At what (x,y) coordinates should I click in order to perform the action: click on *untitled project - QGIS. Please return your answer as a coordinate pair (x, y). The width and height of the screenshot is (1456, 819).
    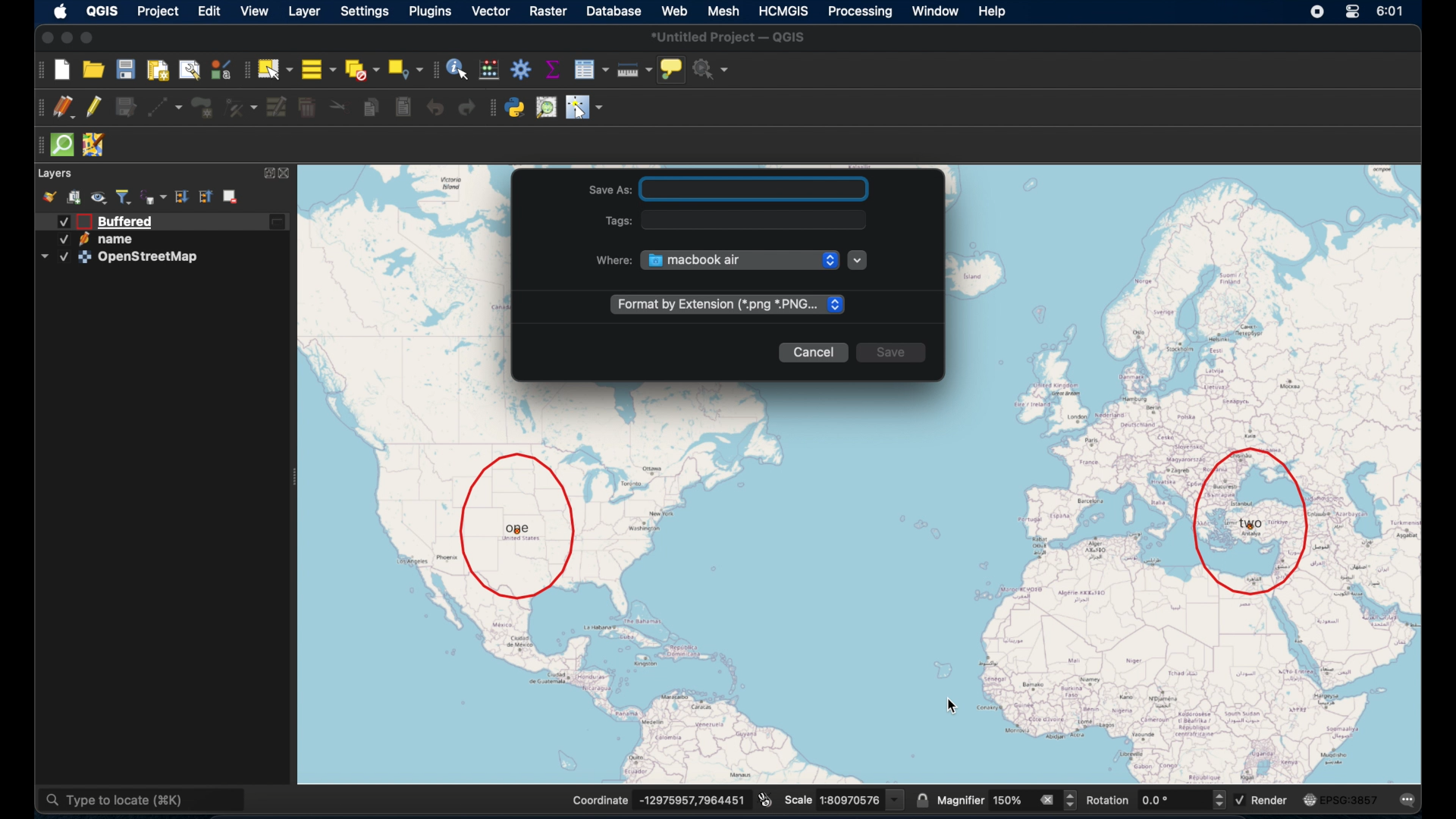
    Looking at the image, I should click on (732, 37).